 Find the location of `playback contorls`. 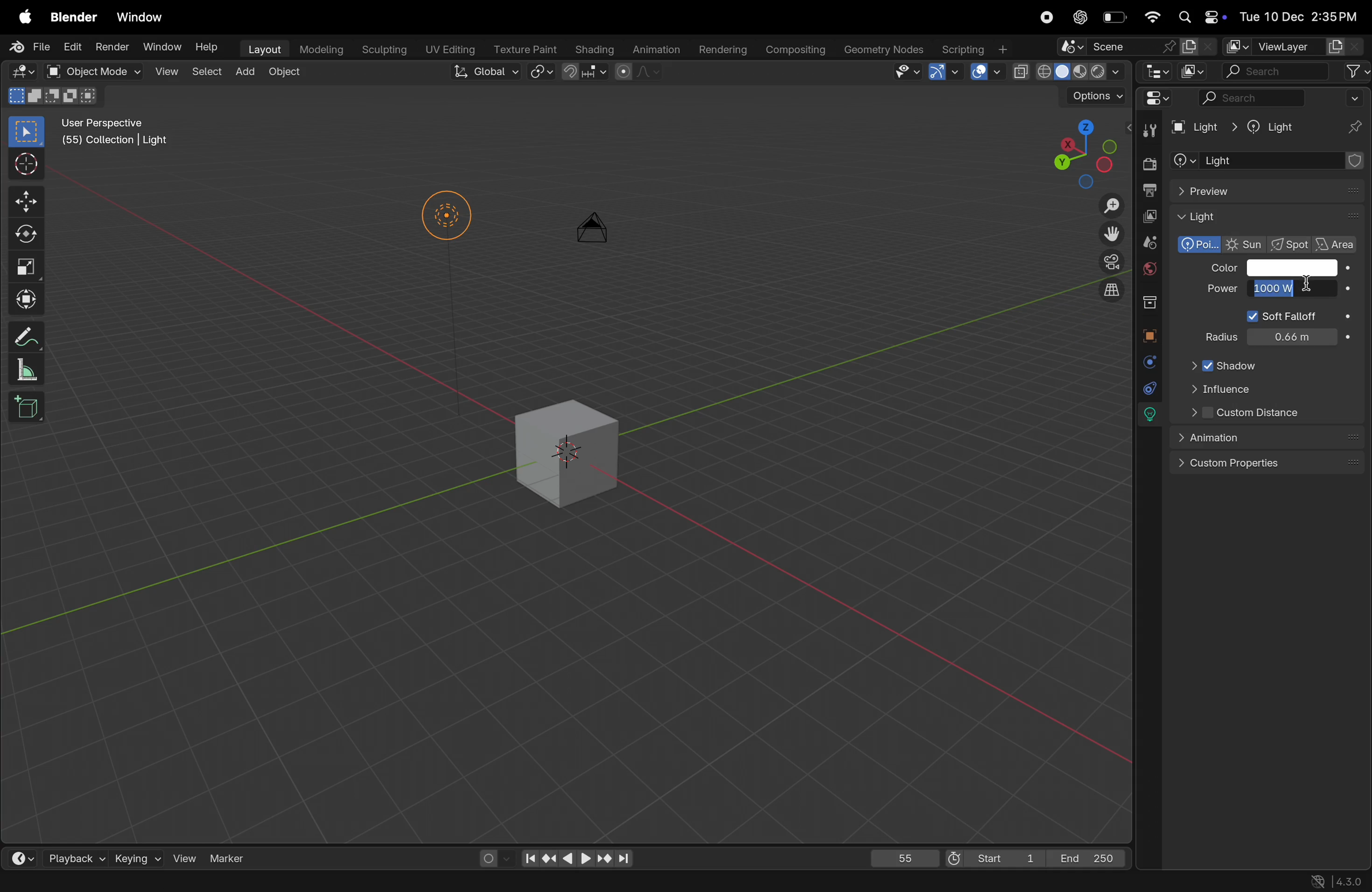

playback contorls is located at coordinates (574, 856).